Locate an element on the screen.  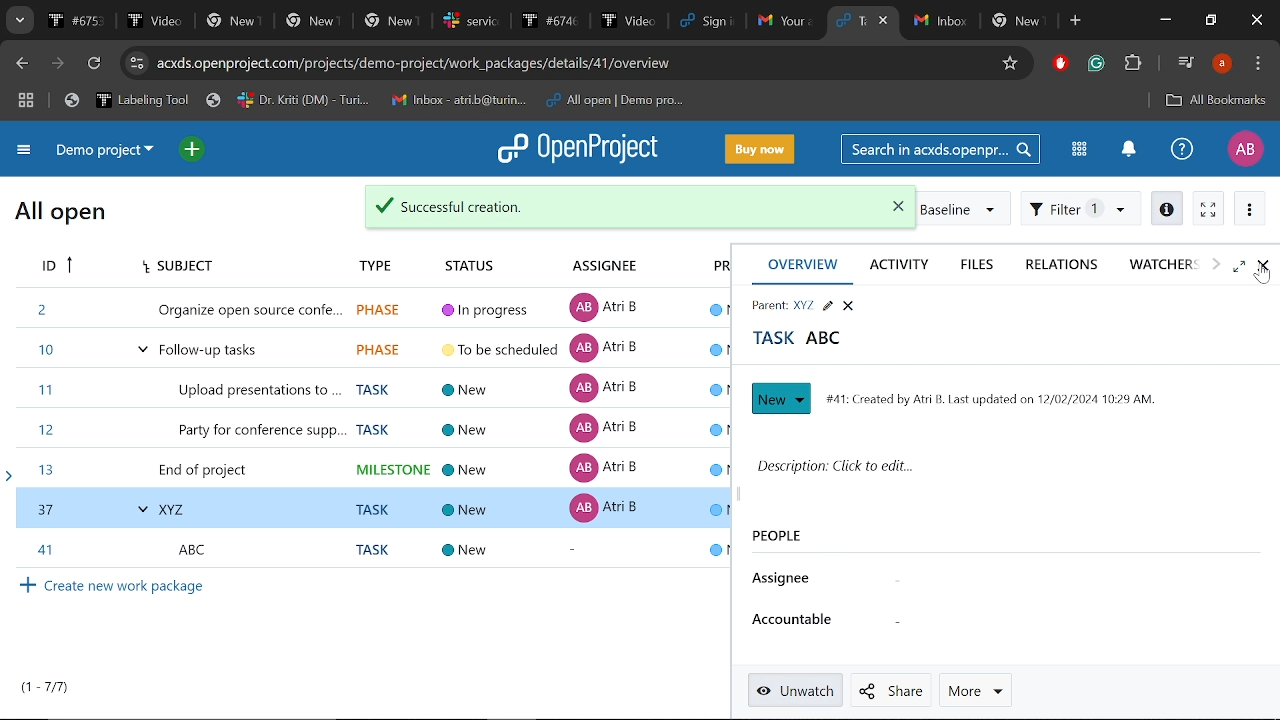
Search in acxds.openproject is located at coordinates (938, 148).